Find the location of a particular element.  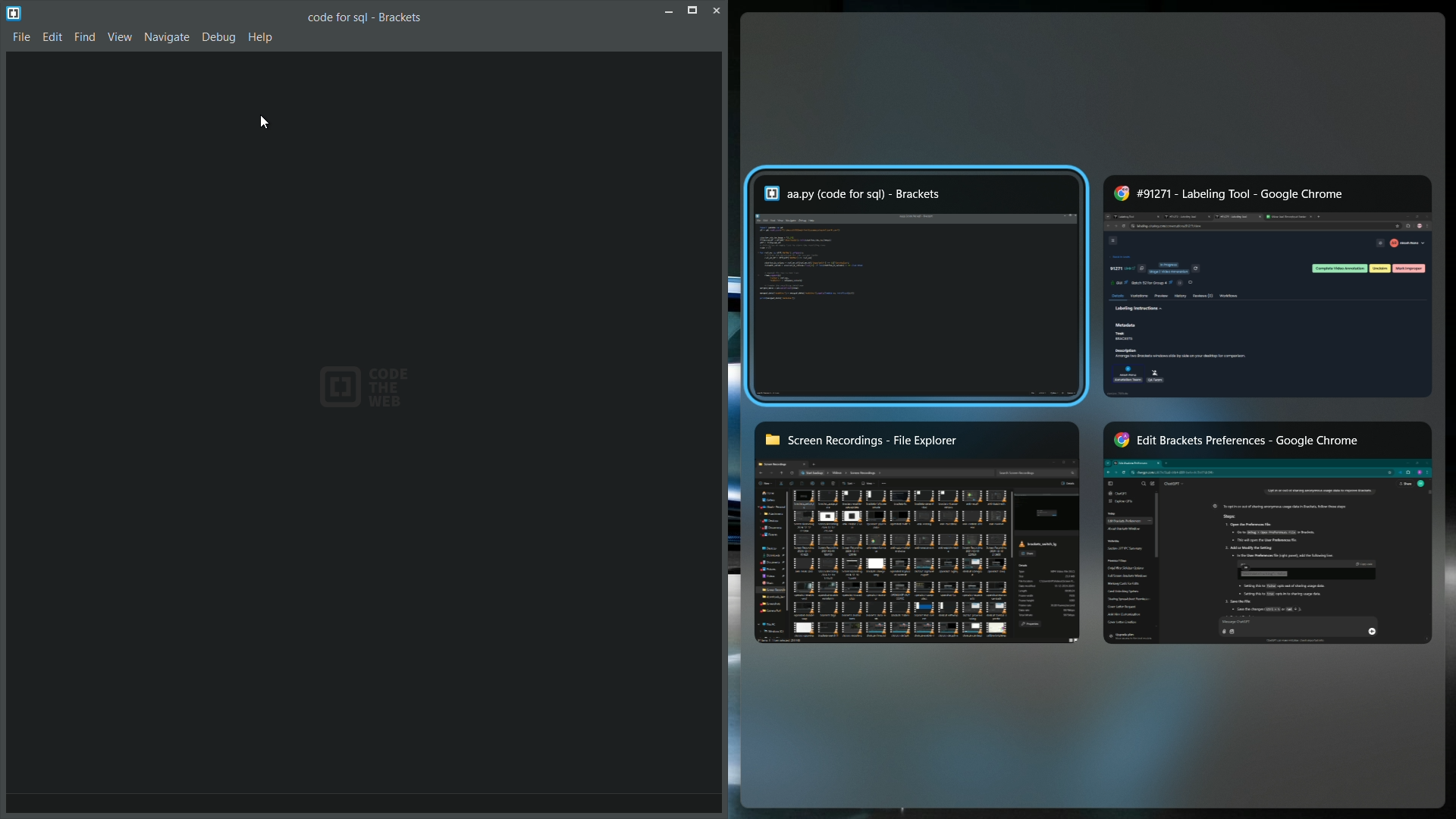

restore is located at coordinates (694, 11).